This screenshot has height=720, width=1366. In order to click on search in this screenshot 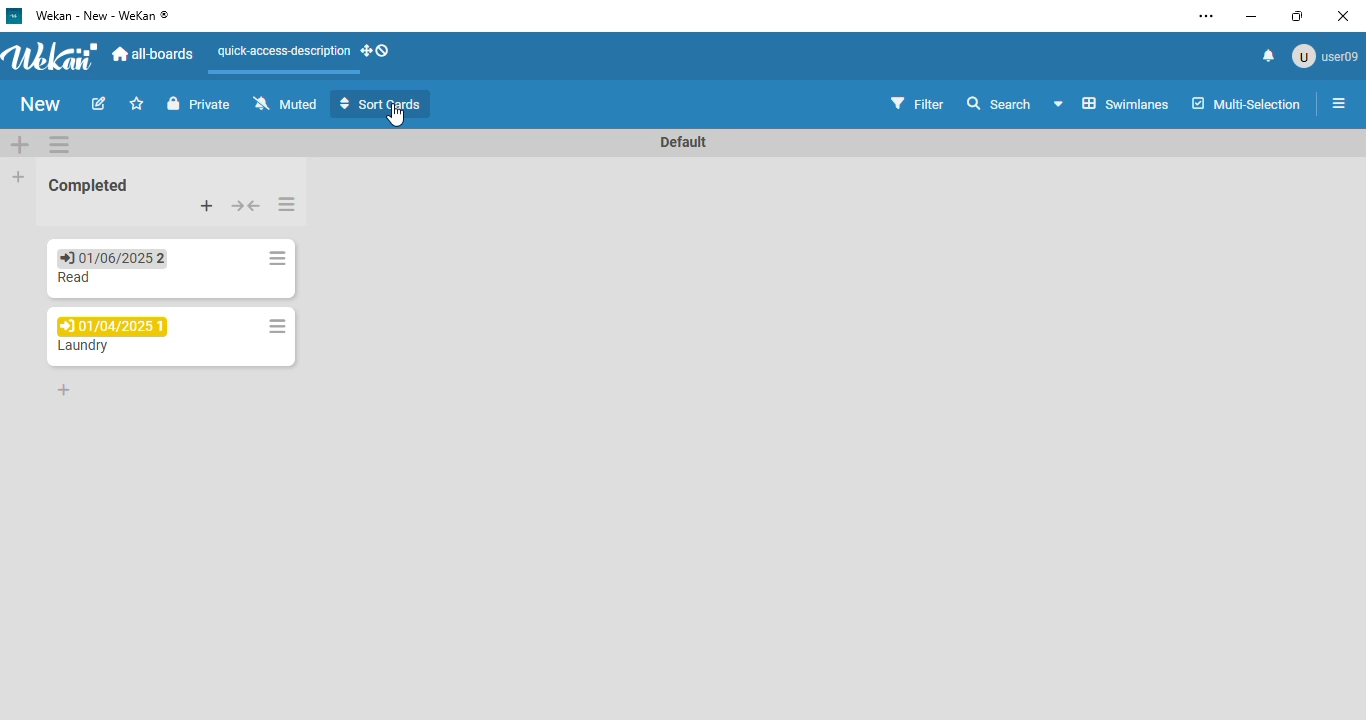, I will do `click(998, 102)`.